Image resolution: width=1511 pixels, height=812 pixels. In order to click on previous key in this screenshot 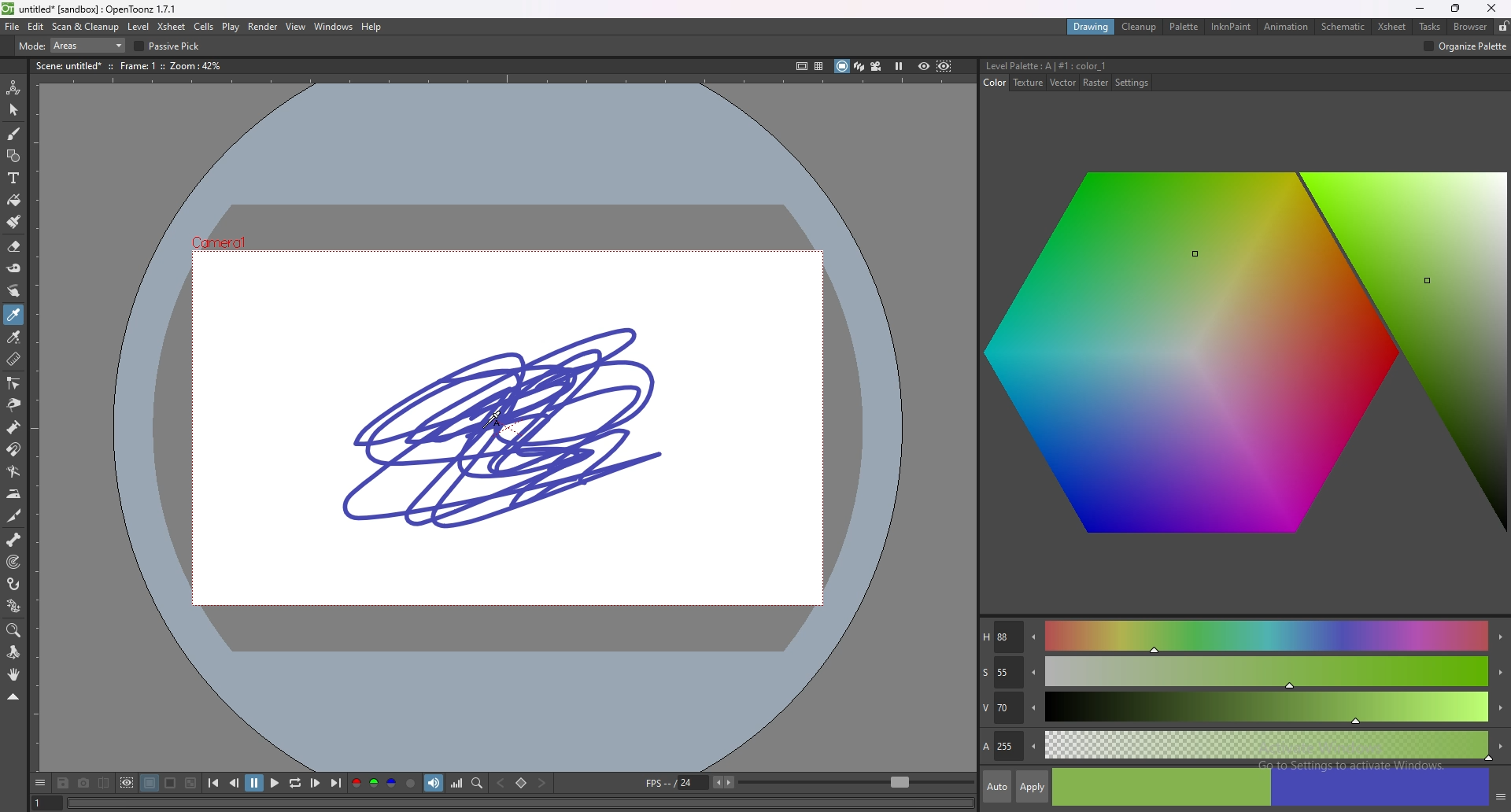, I will do `click(501, 782)`.